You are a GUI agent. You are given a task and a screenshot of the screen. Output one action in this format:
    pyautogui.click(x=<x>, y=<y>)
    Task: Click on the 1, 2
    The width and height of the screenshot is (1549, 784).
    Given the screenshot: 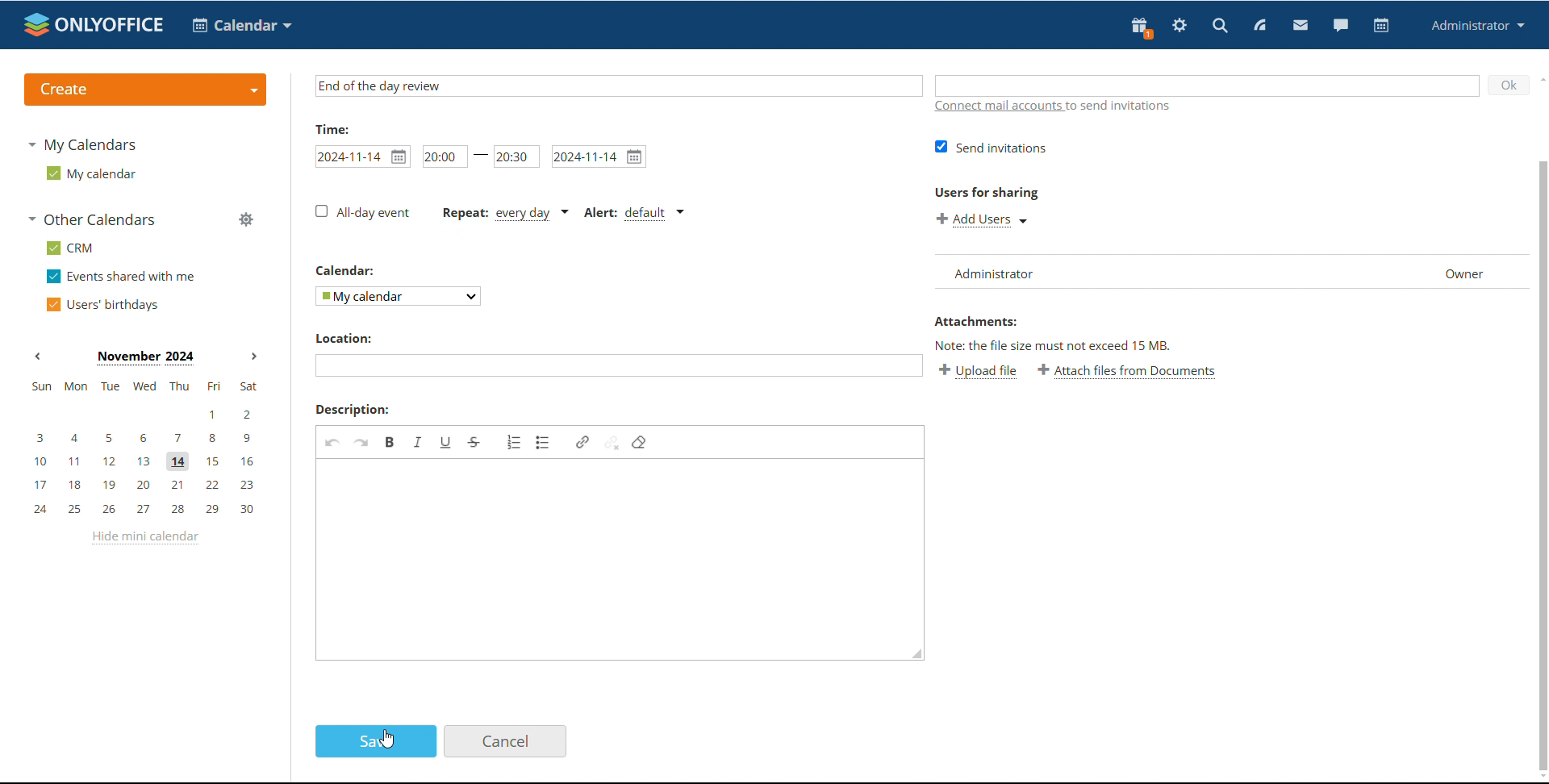 What is the action you would take?
    pyautogui.click(x=142, y=415)
    